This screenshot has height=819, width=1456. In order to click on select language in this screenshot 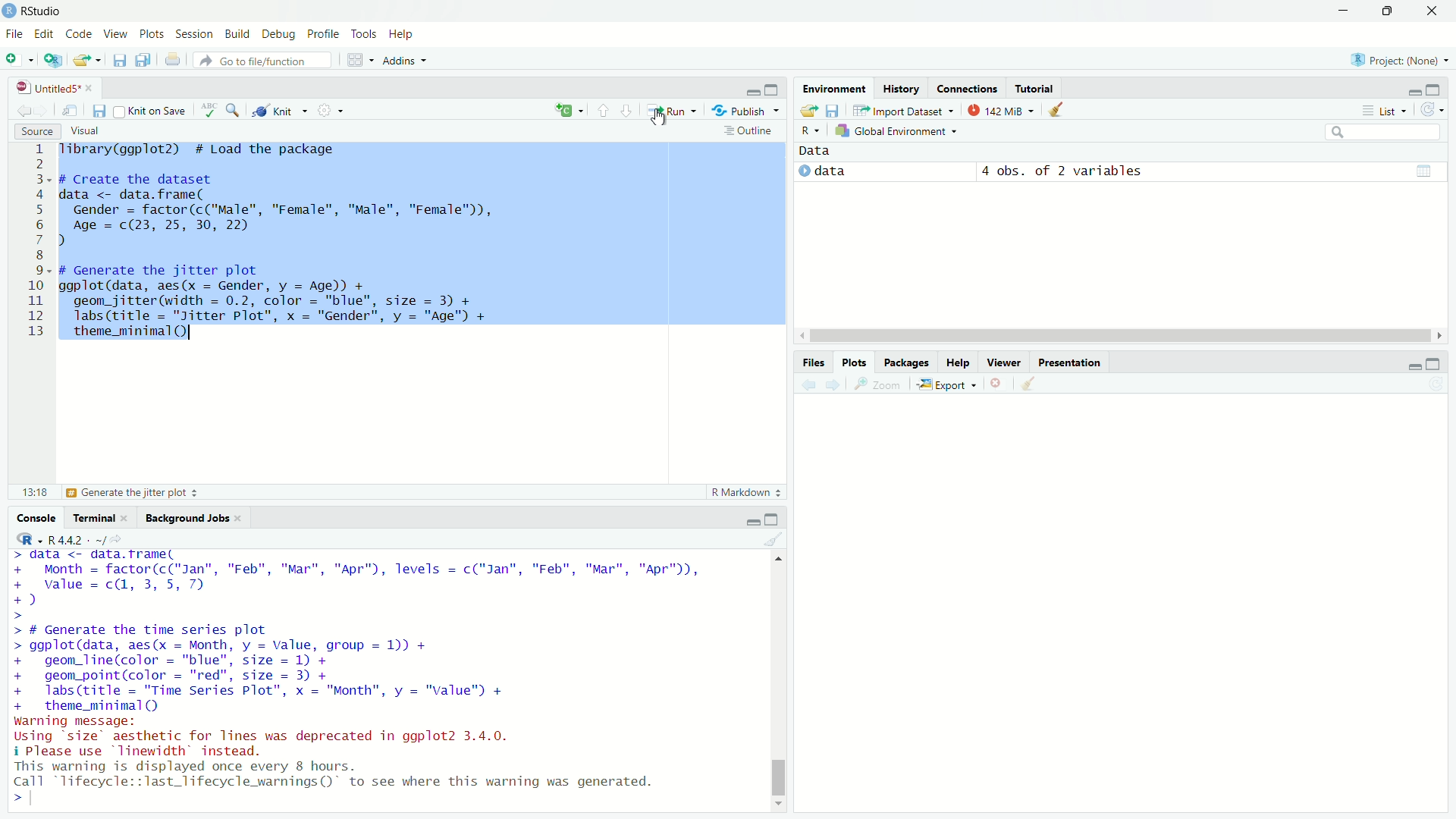, I will do `click(808, 132)`.